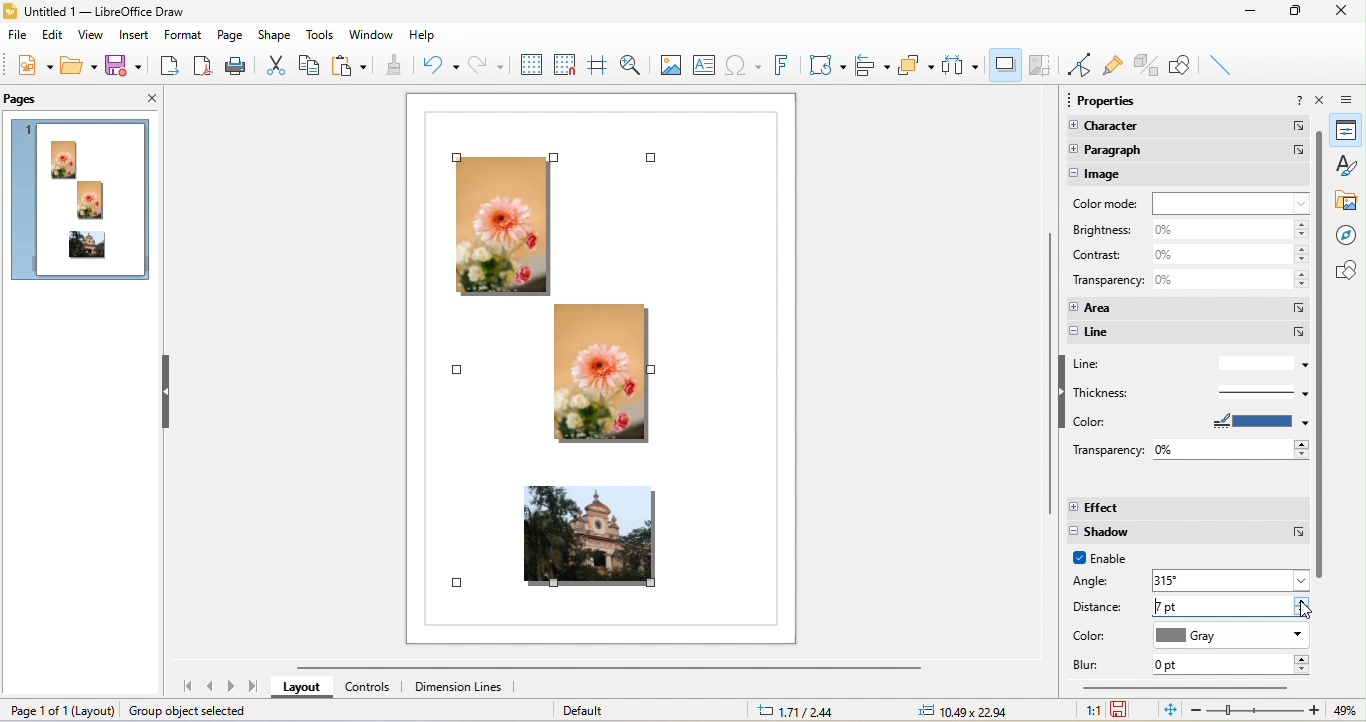 This screenshot has height=722, width=1366. What do you see at coordinates (530, 64) in the screenshot?
I see `display to grids` at bounding box center [530, 64].